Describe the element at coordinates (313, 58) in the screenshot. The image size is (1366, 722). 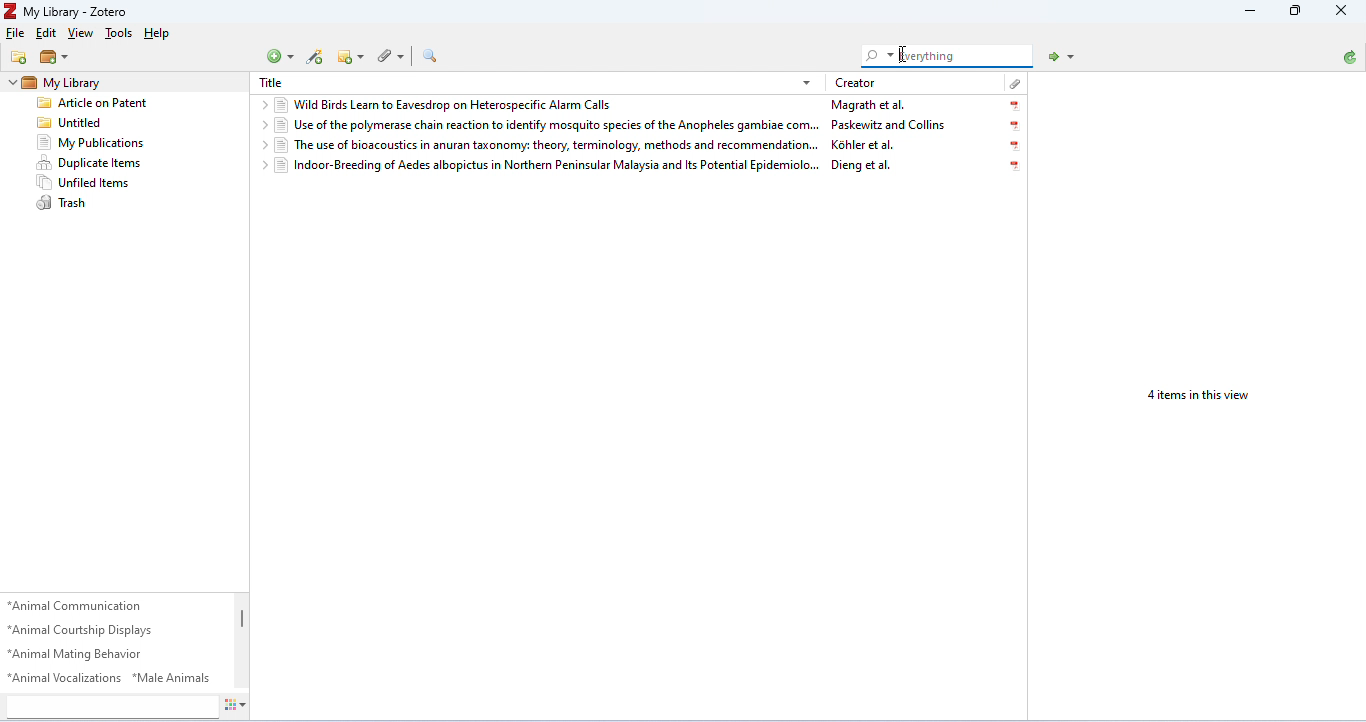
I see `Add Item by Identifier` at that location.